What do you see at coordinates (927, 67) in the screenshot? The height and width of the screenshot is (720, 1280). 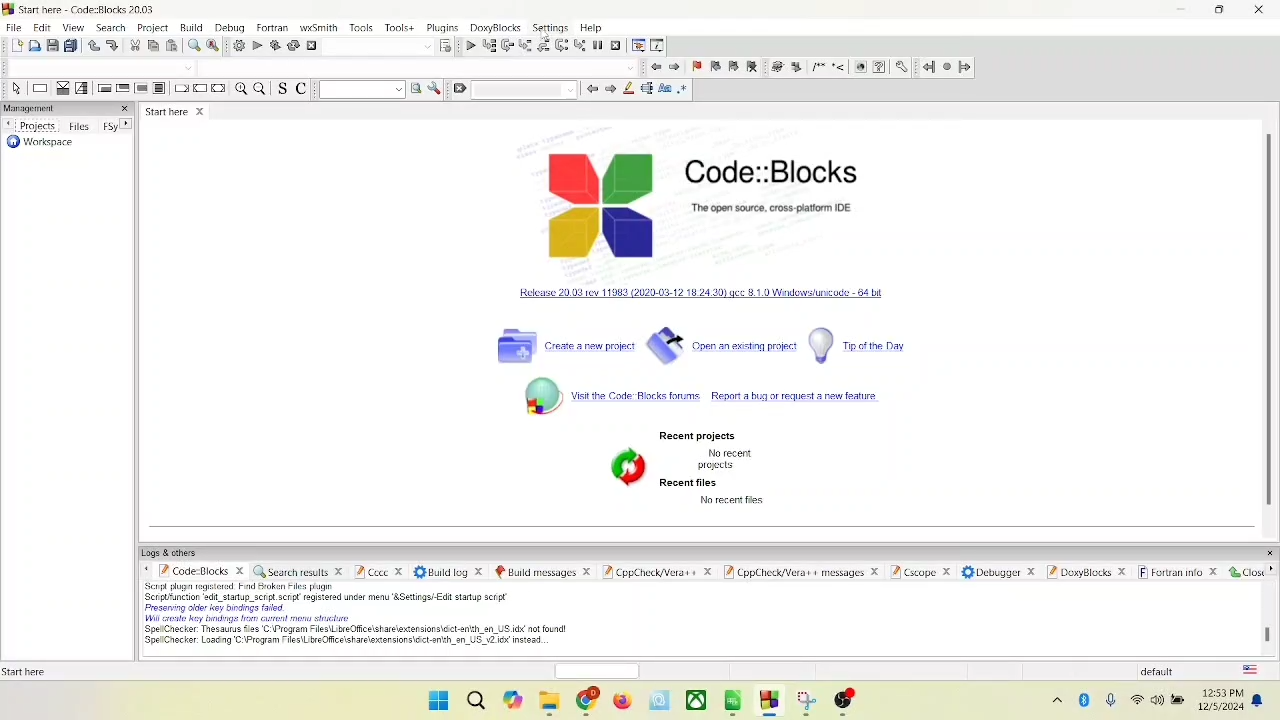 I see `jump back` at bounding box center [927, 67].